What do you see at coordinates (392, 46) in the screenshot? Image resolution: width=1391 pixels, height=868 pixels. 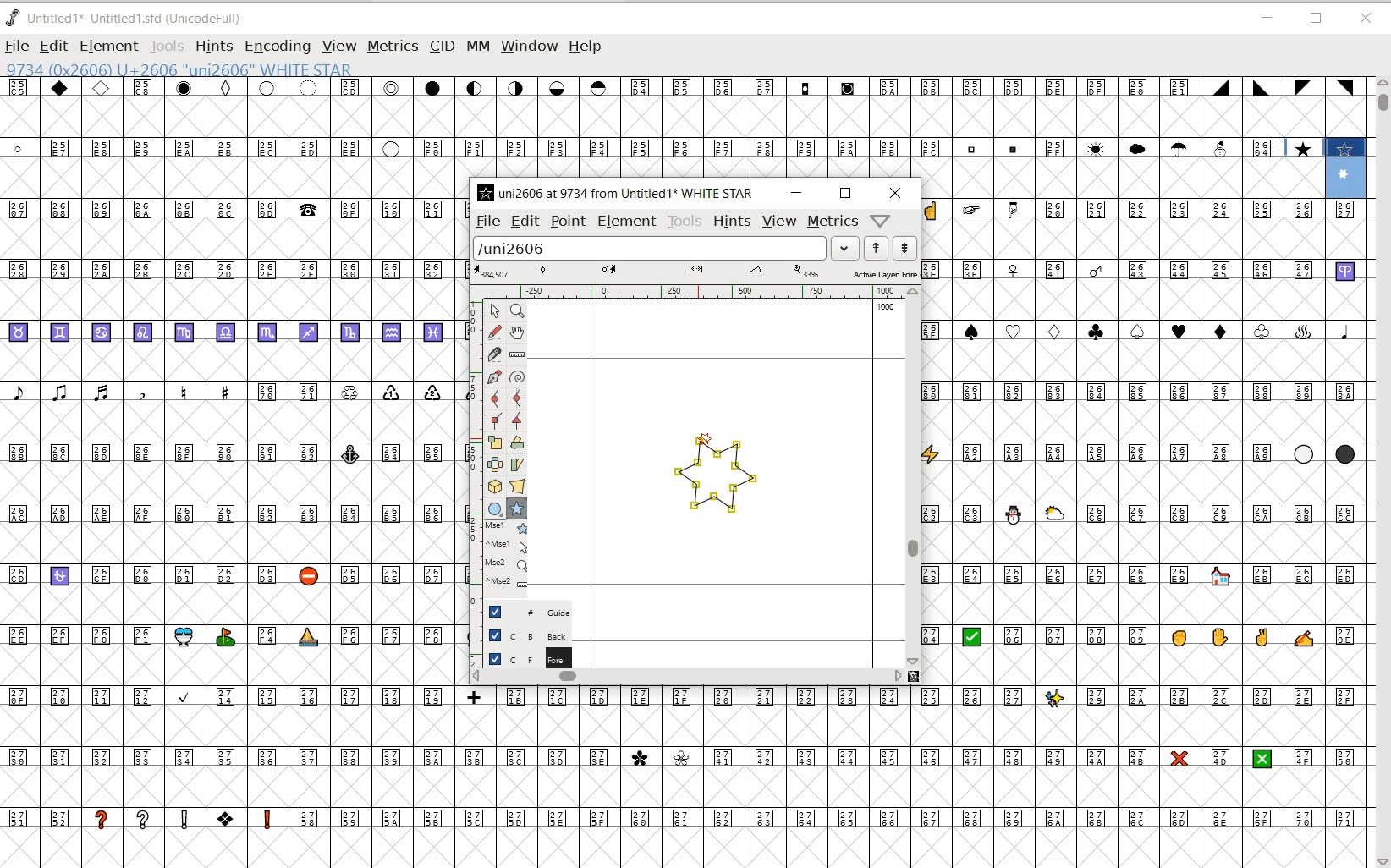 I see `METRICS` at bounding box center [392, 46].